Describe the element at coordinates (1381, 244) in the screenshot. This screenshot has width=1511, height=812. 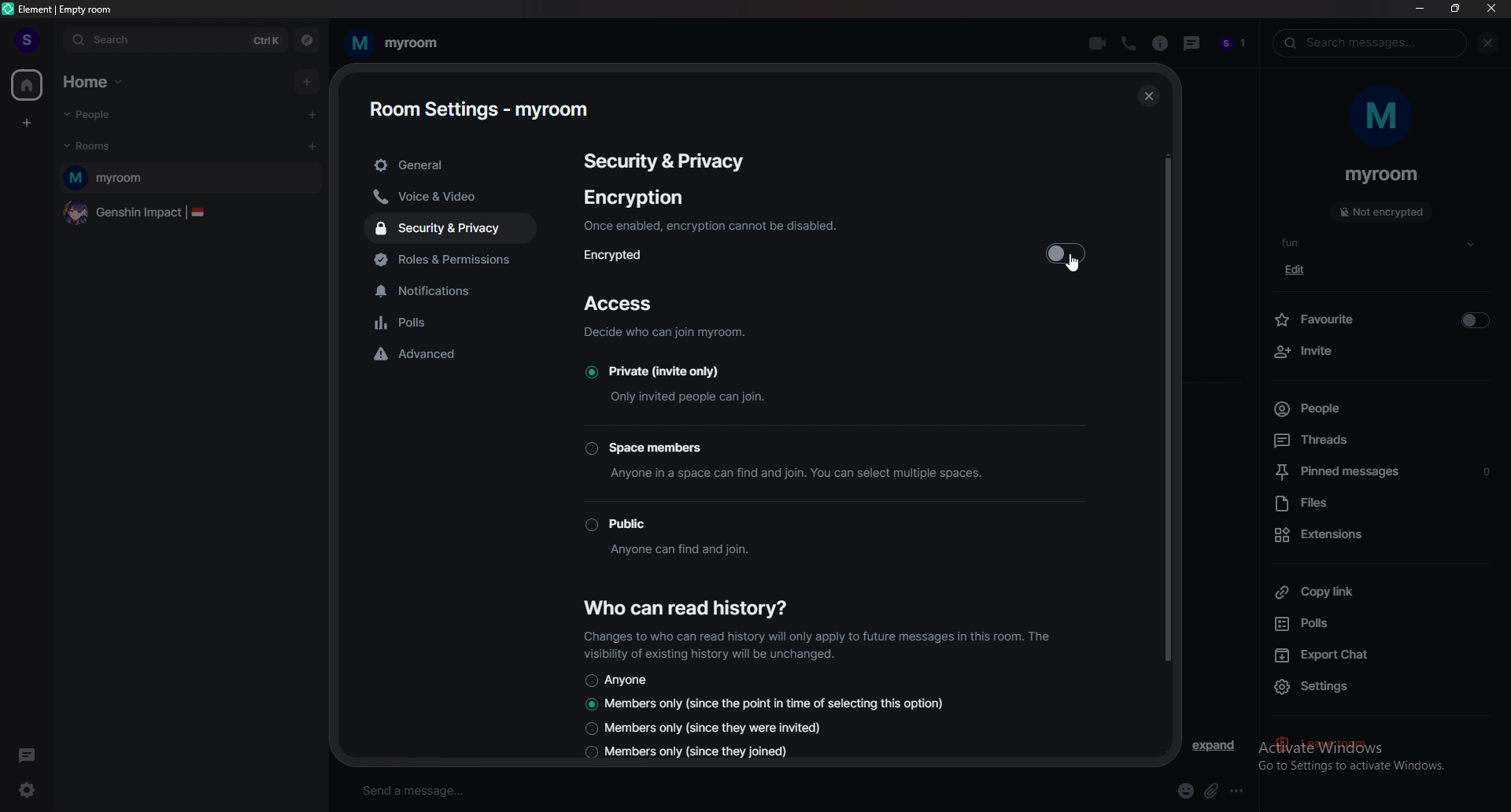
I see `fun` at that location.